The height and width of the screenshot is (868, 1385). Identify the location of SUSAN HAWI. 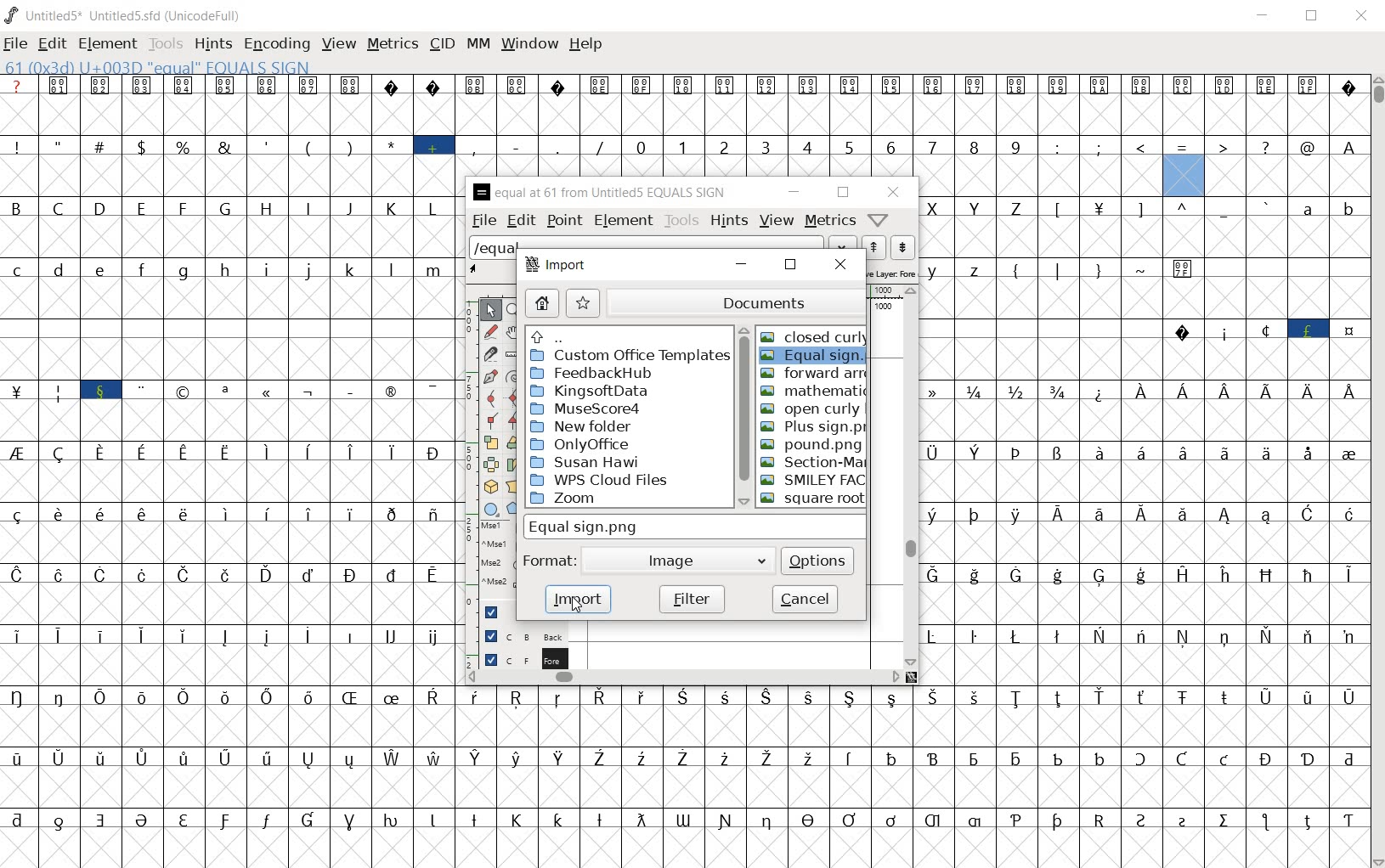
(591, 463).